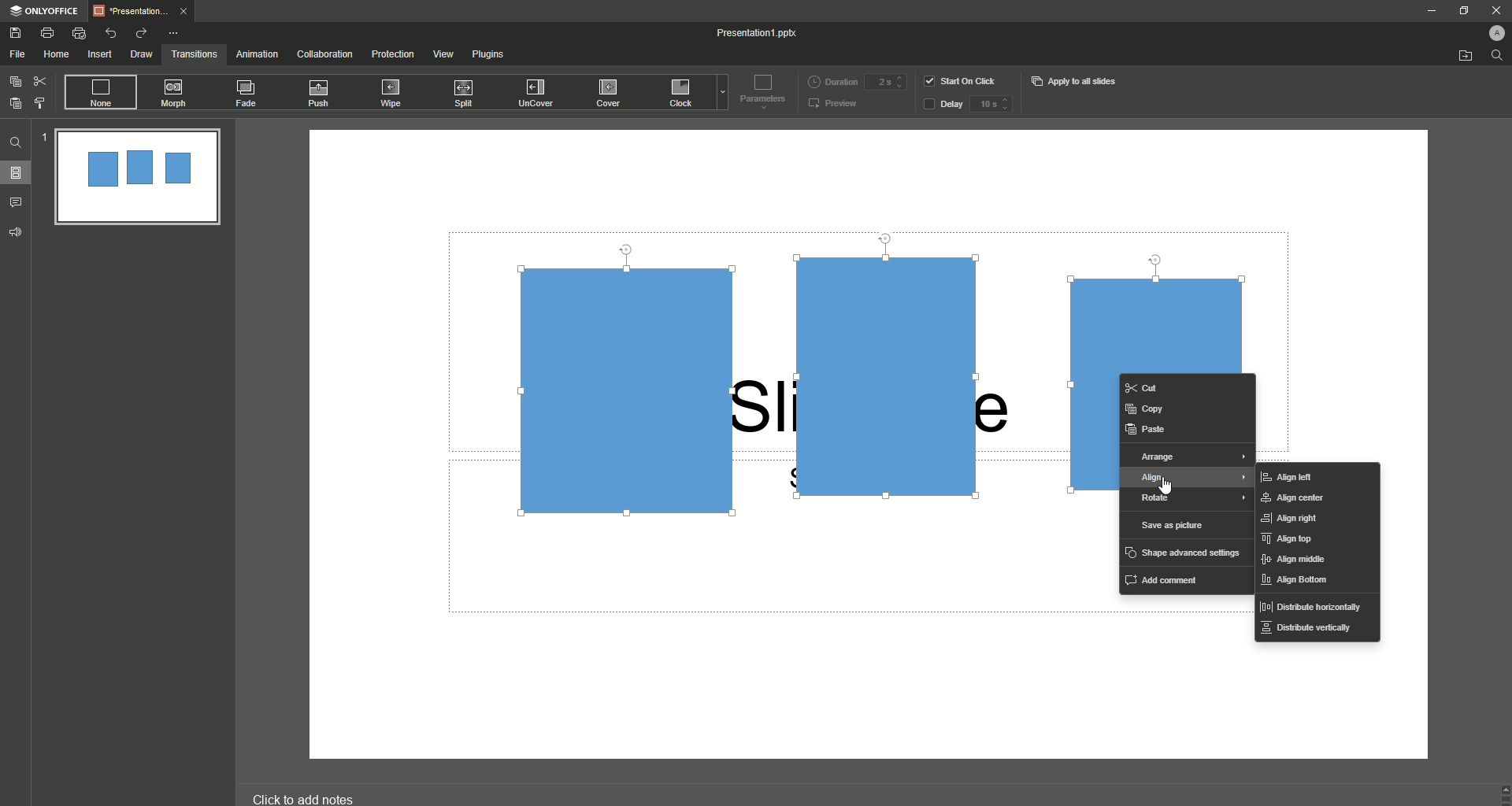 The image size is (1512, 806). I want to click on Distribute vertically, so click(1306, 633).